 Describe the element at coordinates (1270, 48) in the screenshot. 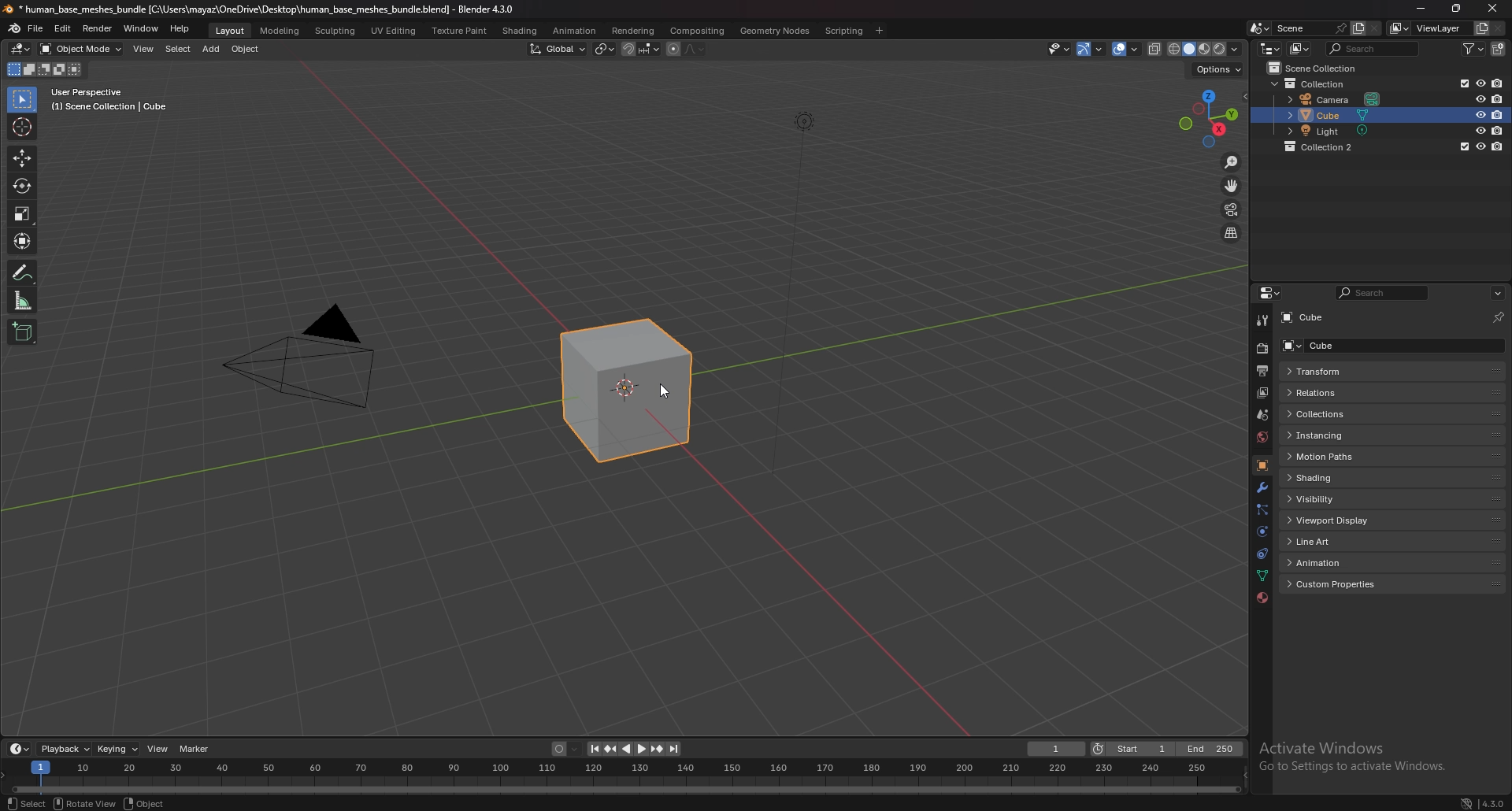

I see `editor type` at that location.